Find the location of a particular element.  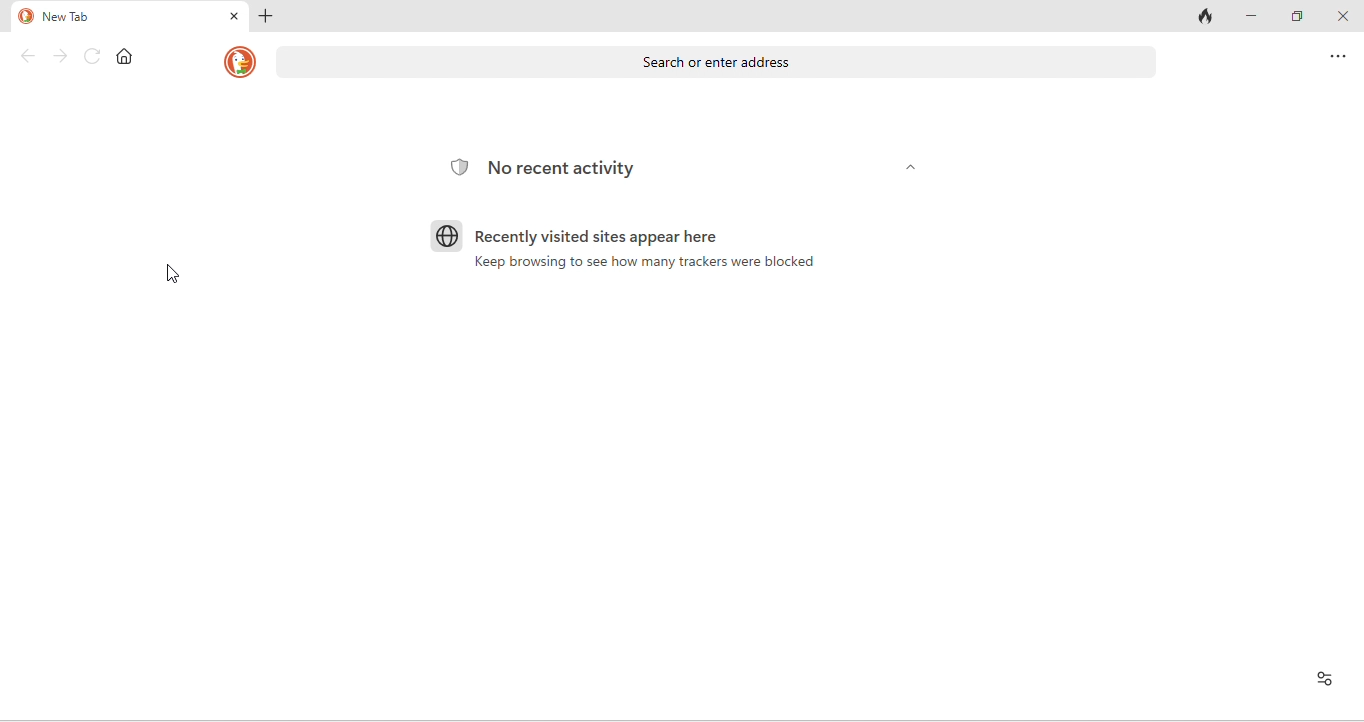

tracking logo is located at coordinates (460, 166).